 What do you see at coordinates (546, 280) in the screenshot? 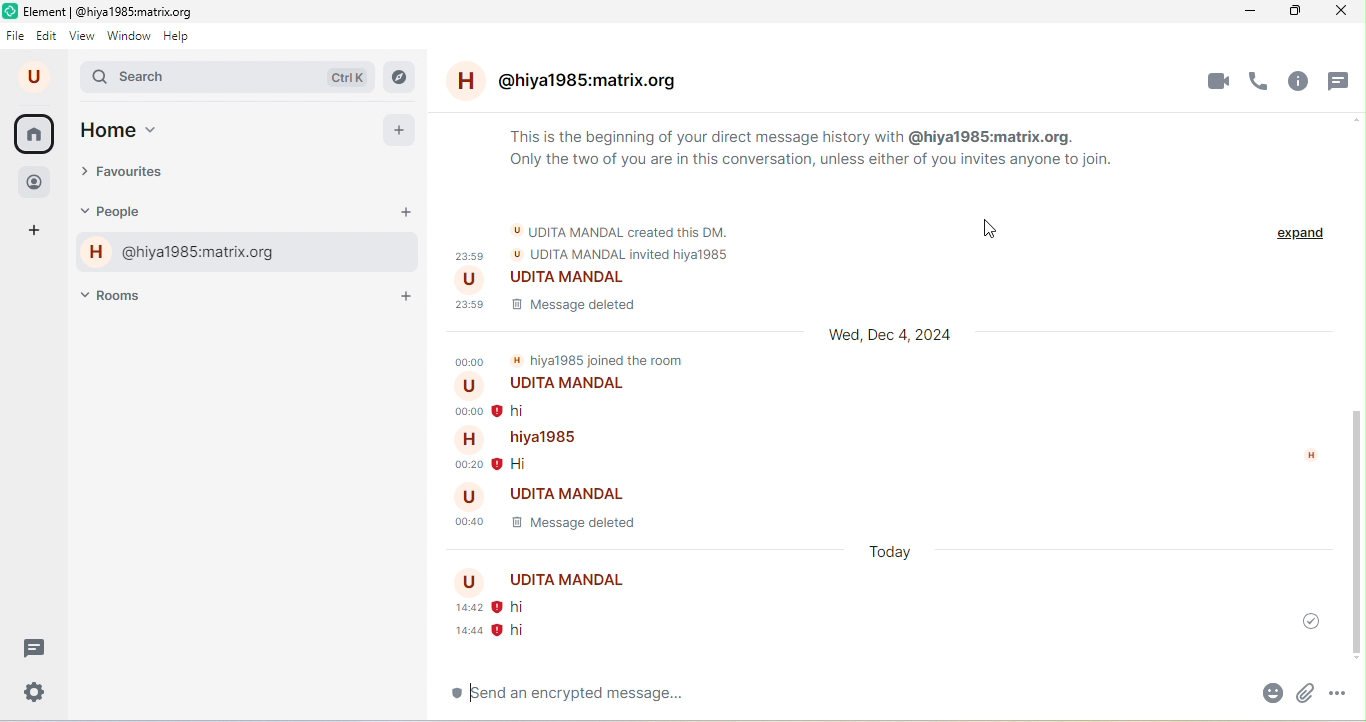
I see `udita mandal` at bounding box center [546, 280].